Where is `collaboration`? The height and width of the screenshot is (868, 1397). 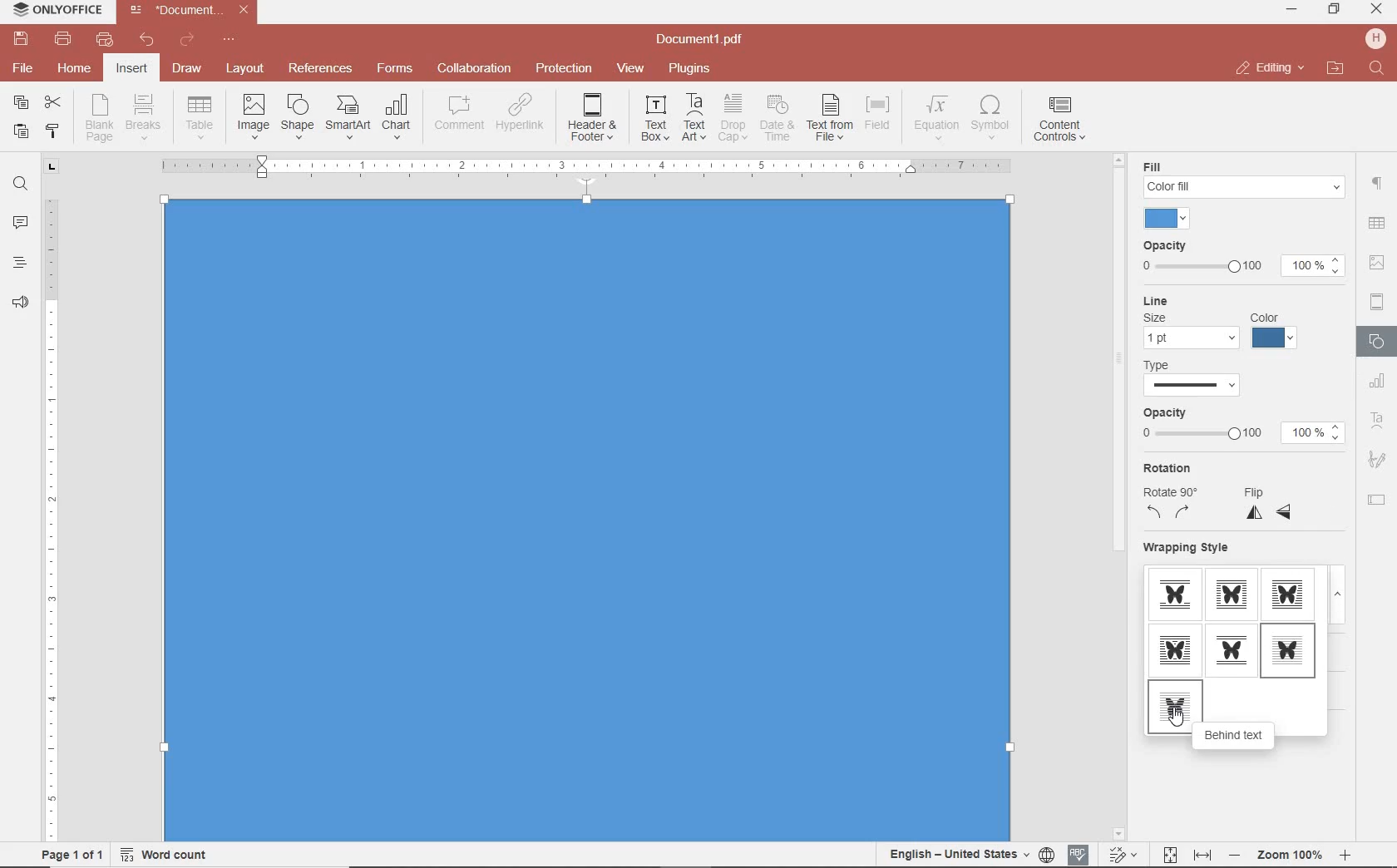 collaboration is located at coordinates (474, 69).